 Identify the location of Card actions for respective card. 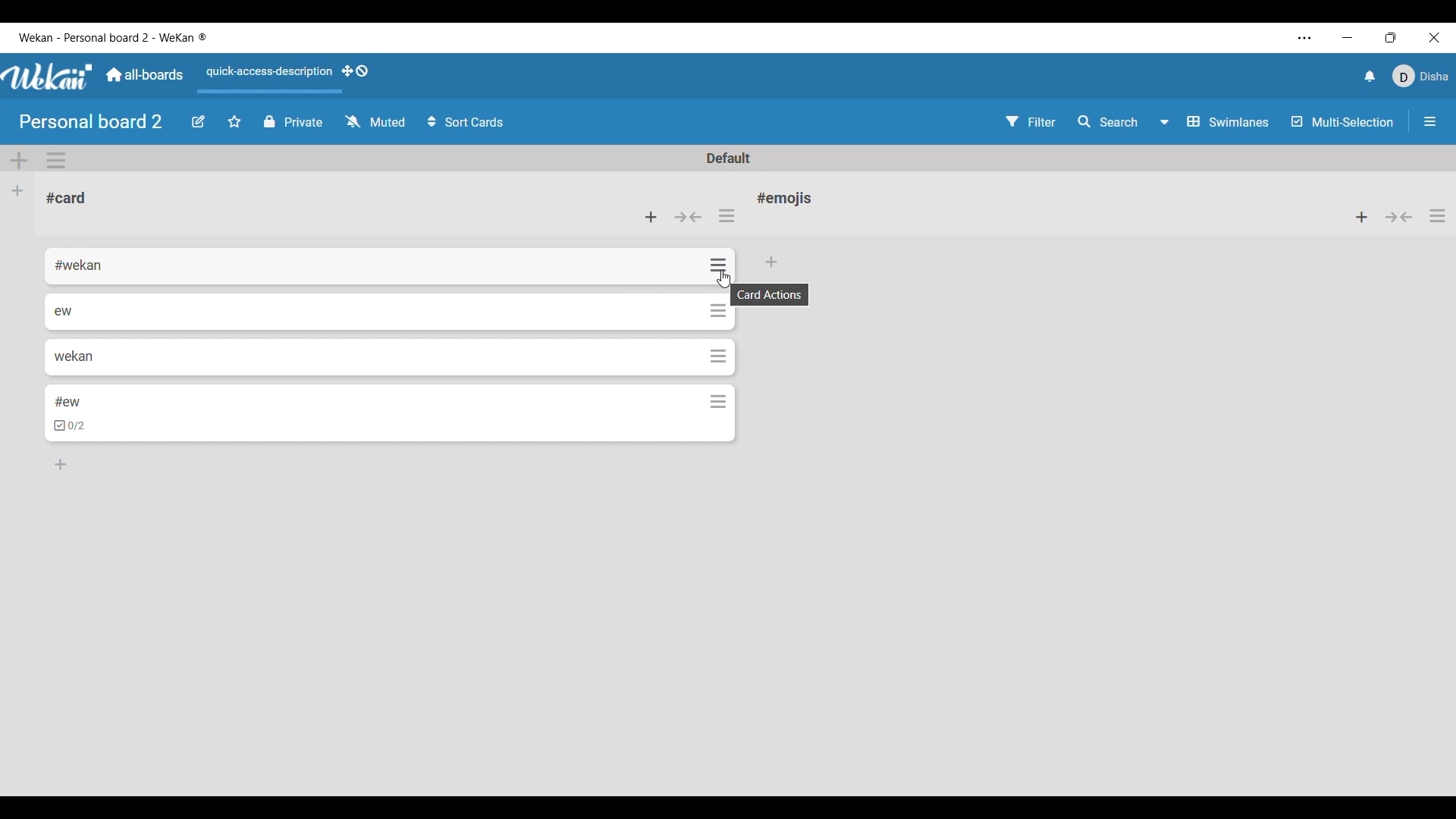
(720, 265).